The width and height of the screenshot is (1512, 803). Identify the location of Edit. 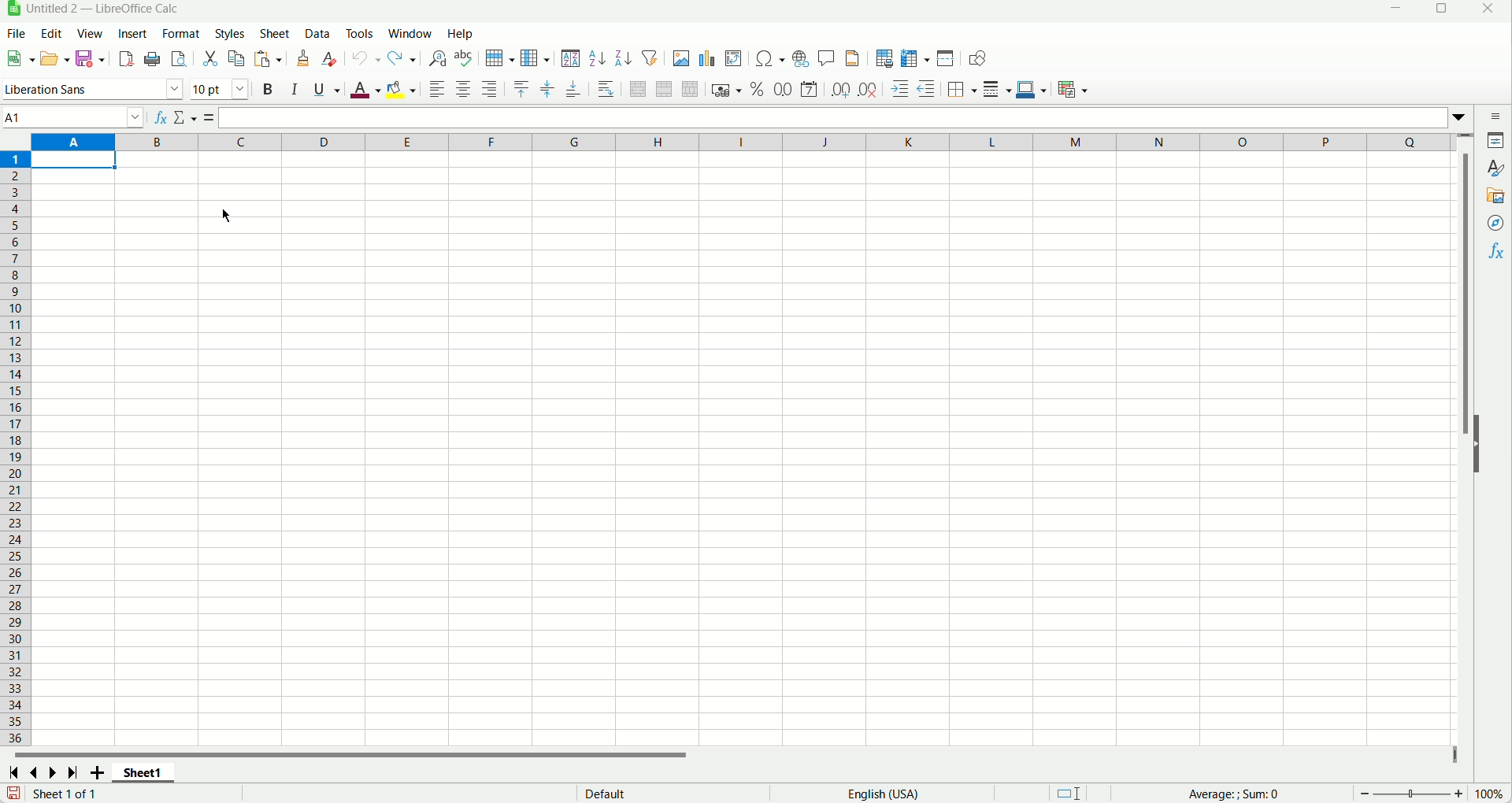
(50, 32).